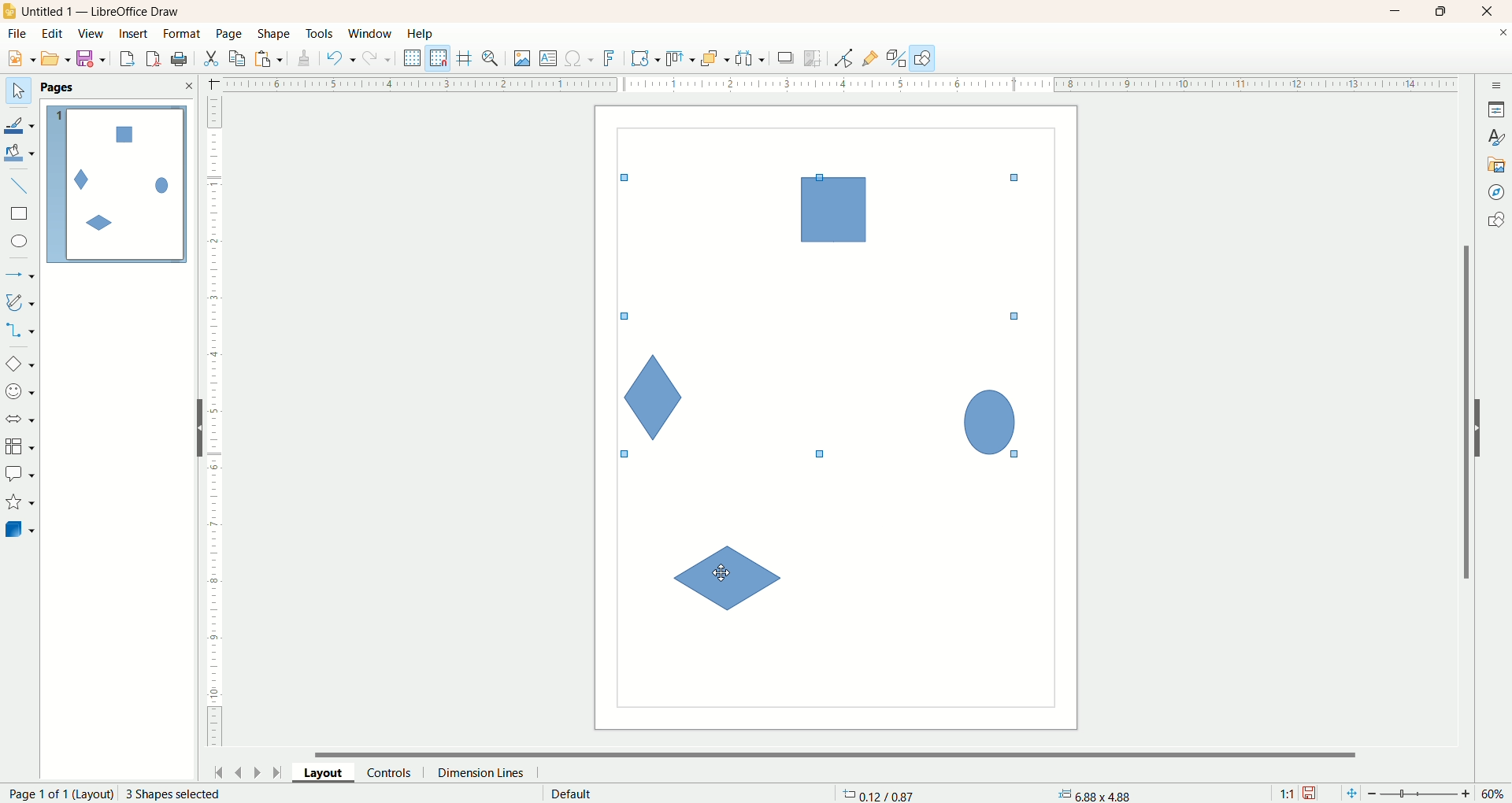 This screenshot has width=1512, height=803. Describe the element at coordinates (305, 56) in the screenshot. I see `clone formatting` at that location.